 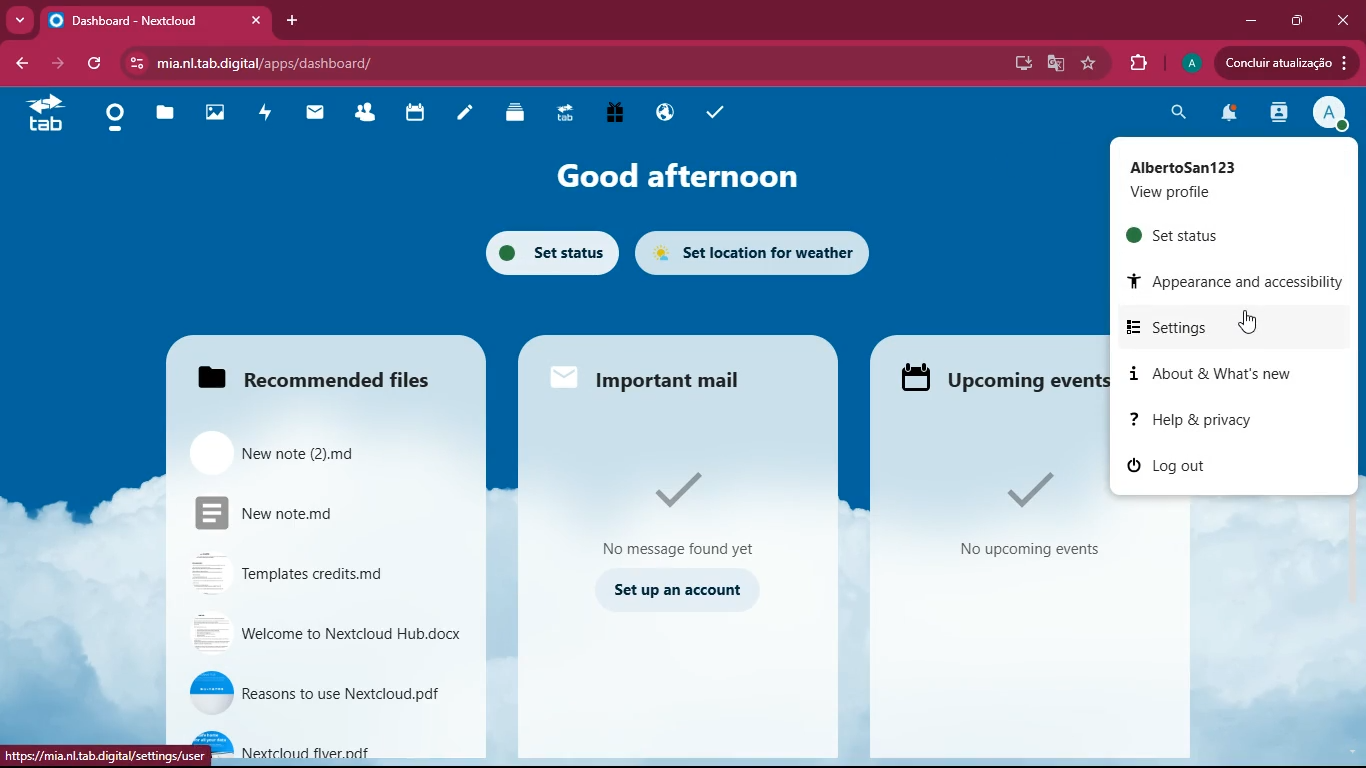 I want to click on update, so click(x=1281, y=63).